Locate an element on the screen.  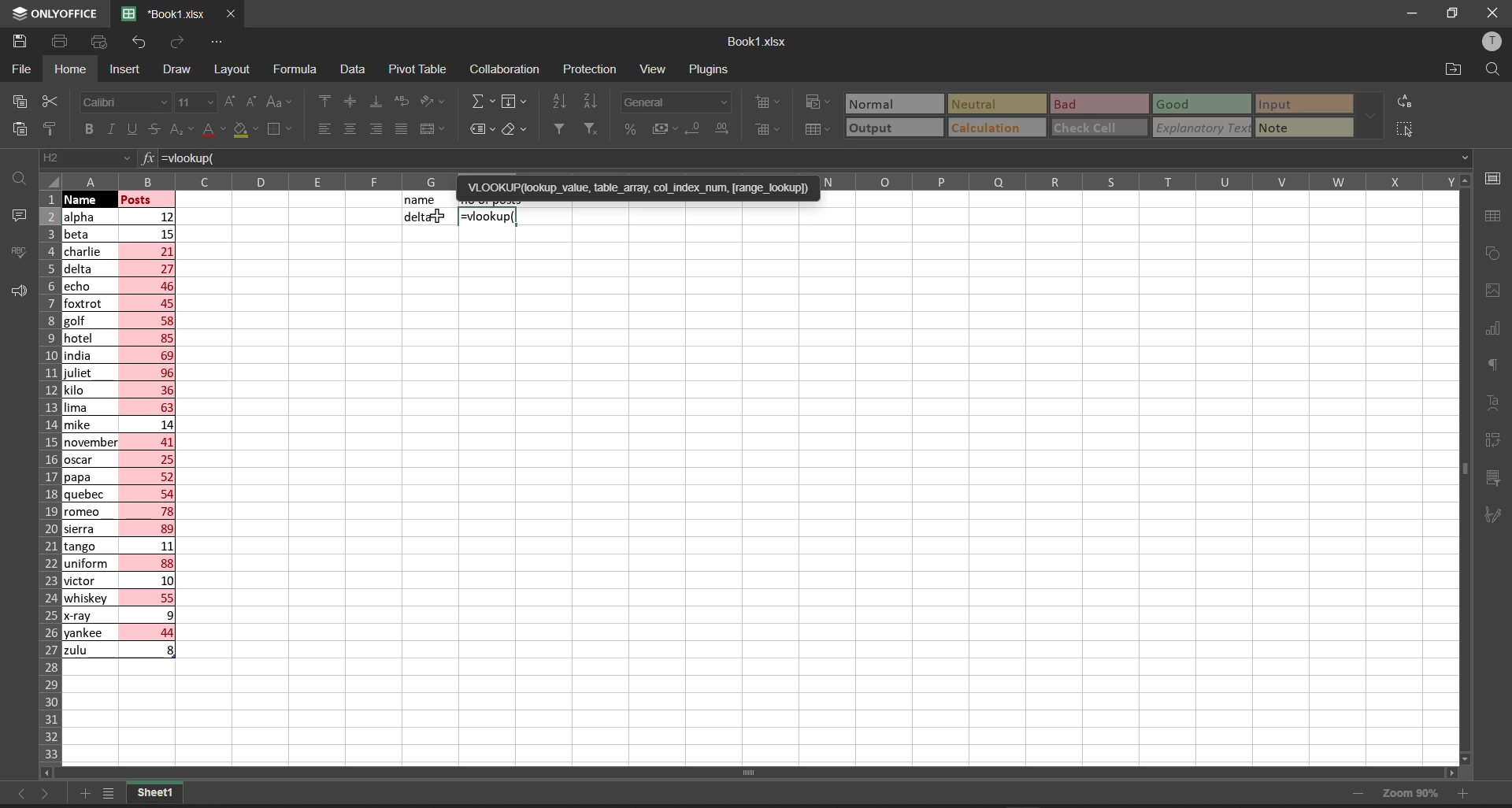
zoom 90% is located at coordinates (1409, 793).